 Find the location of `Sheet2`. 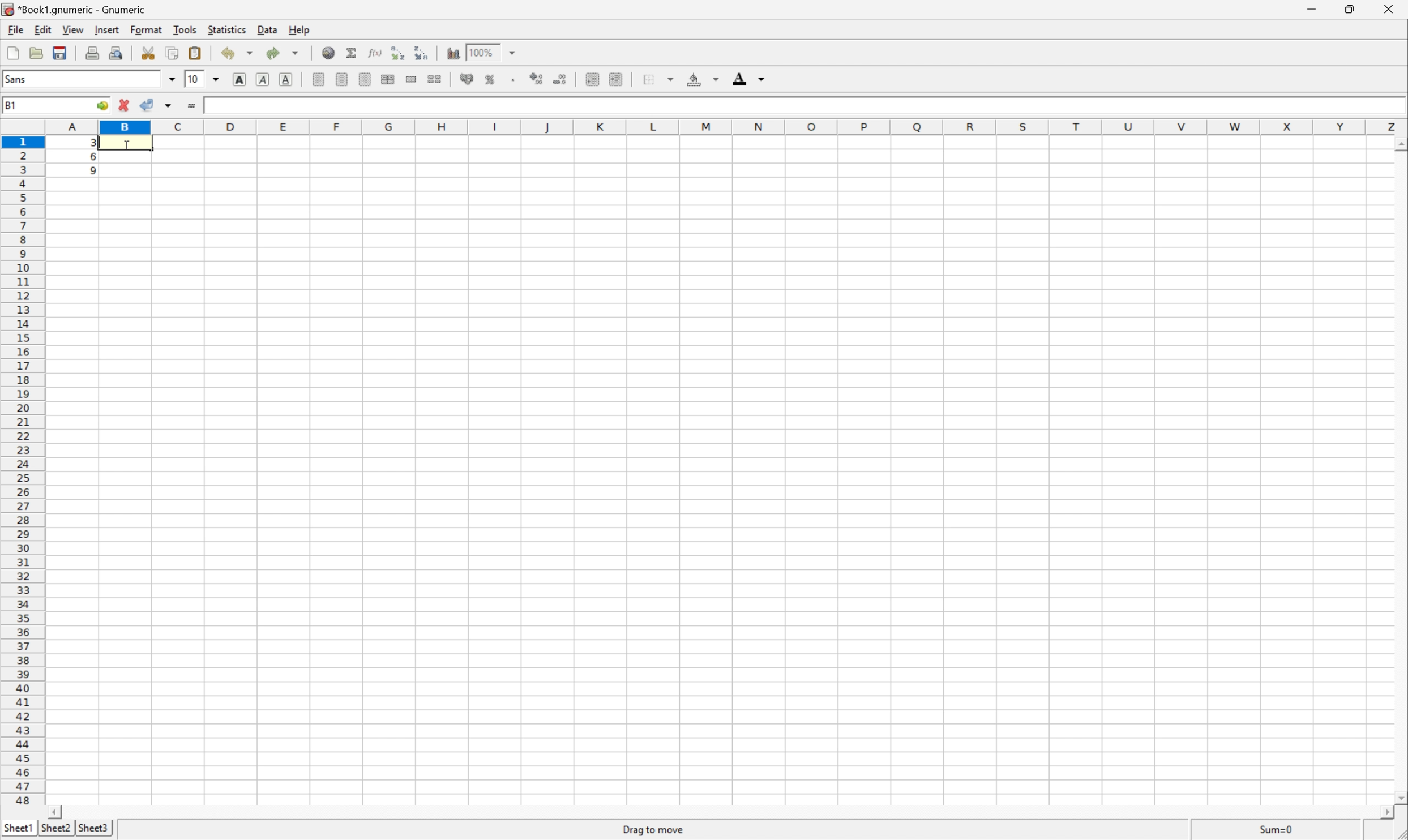

Sheet2 is located at coordinates (55, 828).